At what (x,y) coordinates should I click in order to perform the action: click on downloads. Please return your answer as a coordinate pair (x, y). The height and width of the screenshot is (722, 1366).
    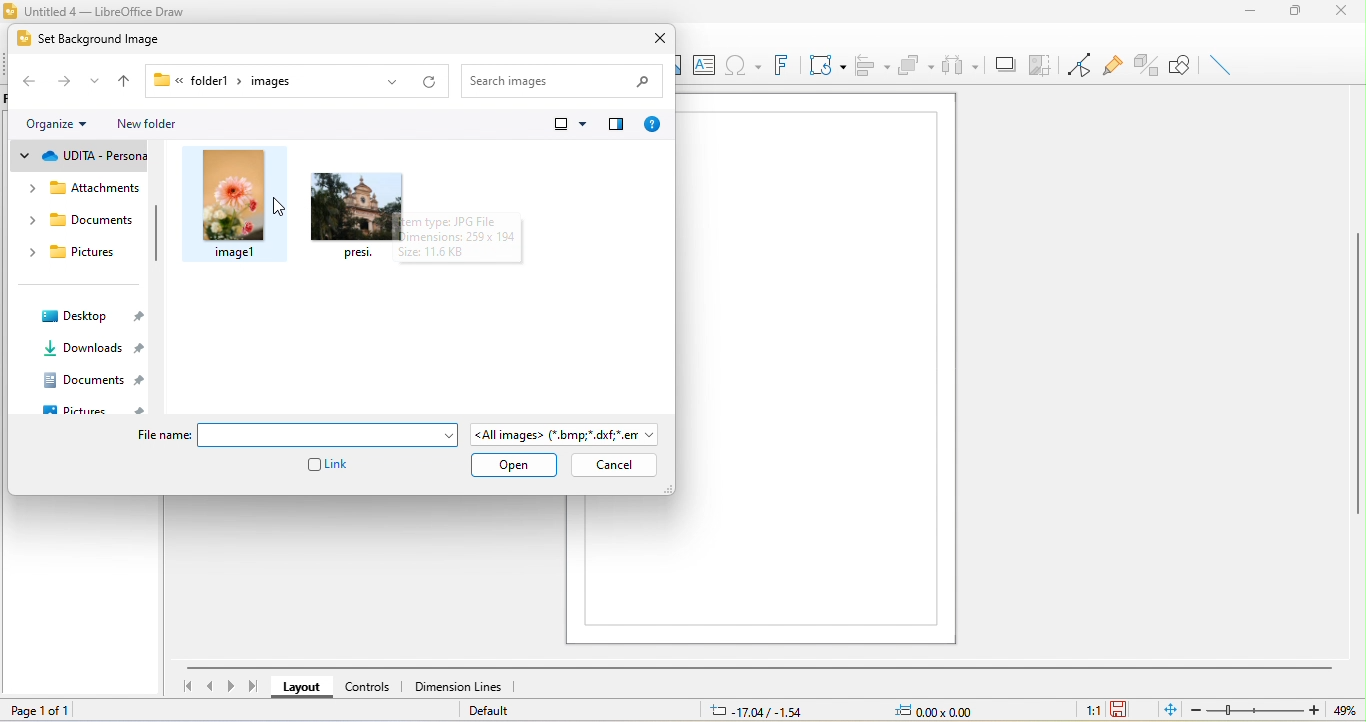
    Looking at the image, I should click on (94, 347).